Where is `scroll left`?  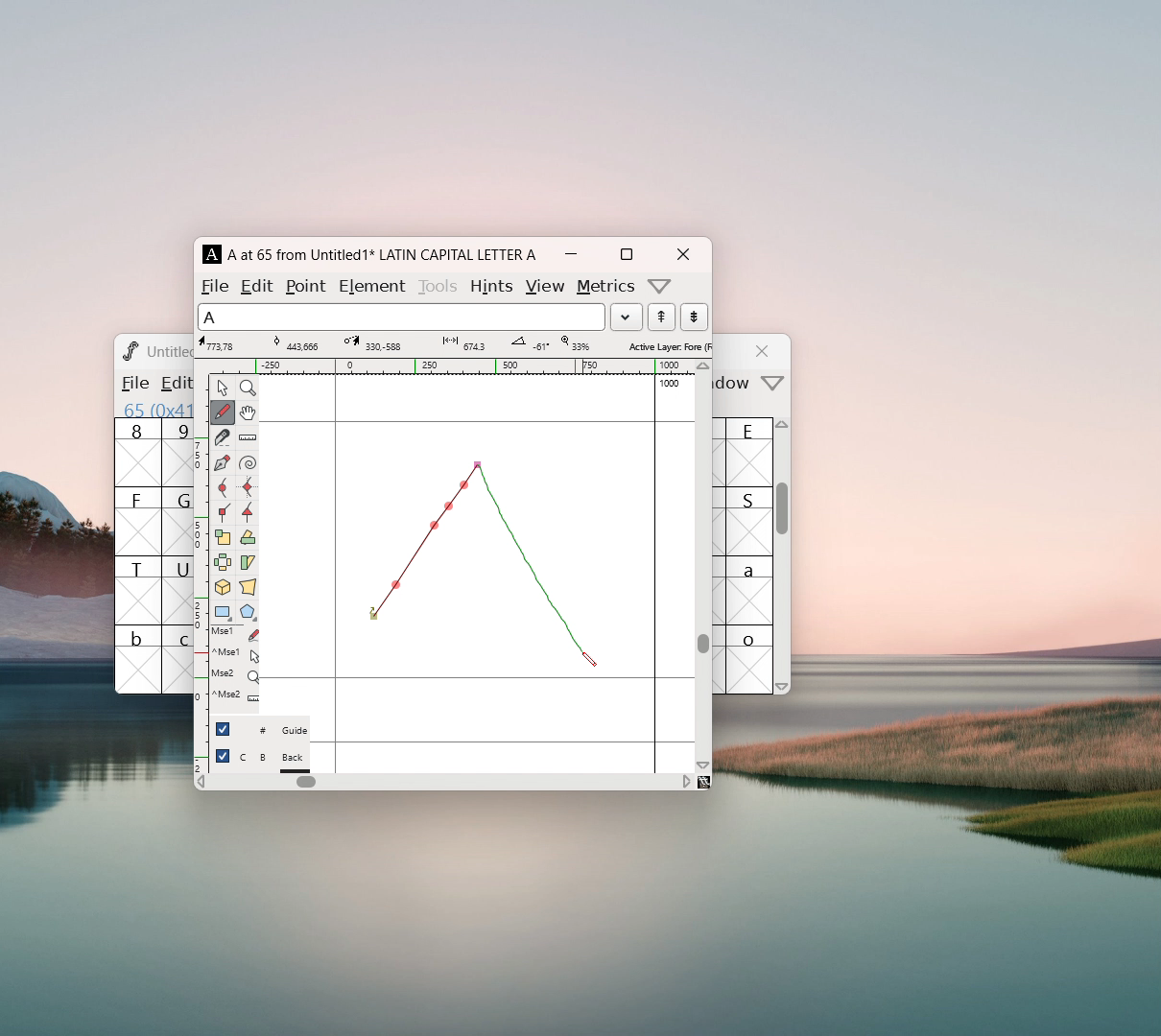 scroll left is located at coordinates (201, 784).